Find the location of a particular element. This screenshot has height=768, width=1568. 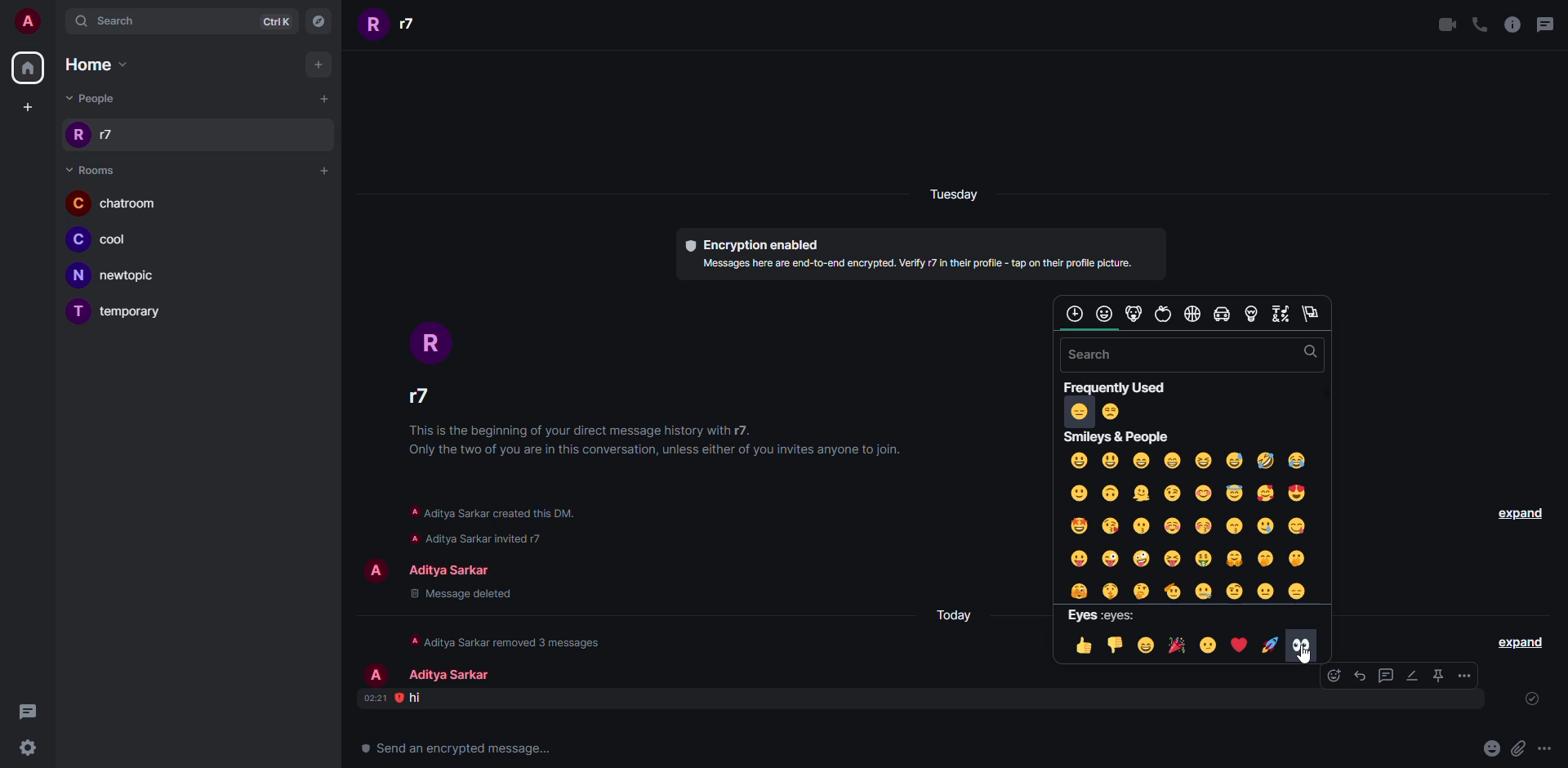

room is located at coordinates (91, 169).